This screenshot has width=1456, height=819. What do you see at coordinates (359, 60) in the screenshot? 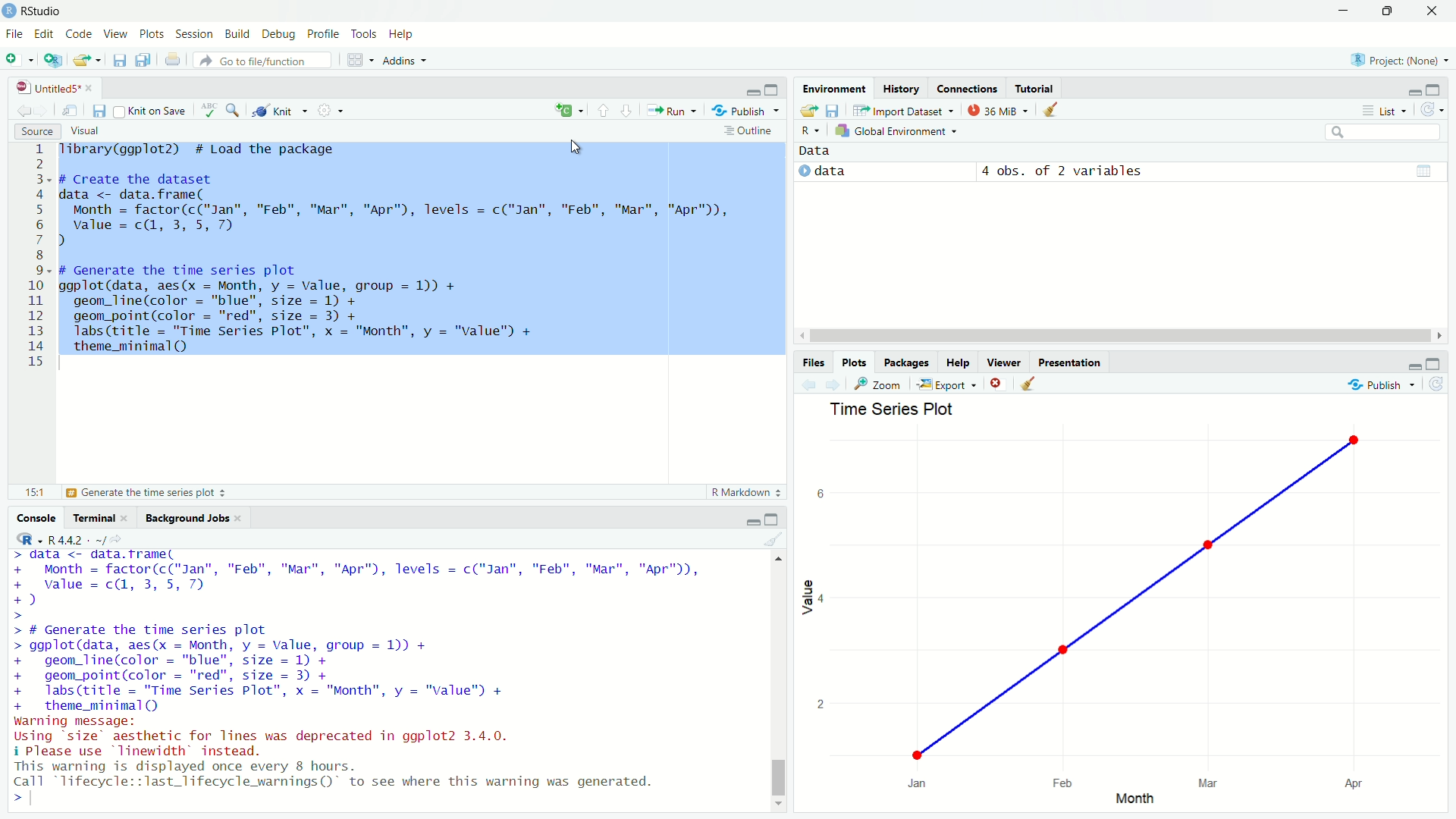
I see `workspace panes` at bounding box center [359, 60].